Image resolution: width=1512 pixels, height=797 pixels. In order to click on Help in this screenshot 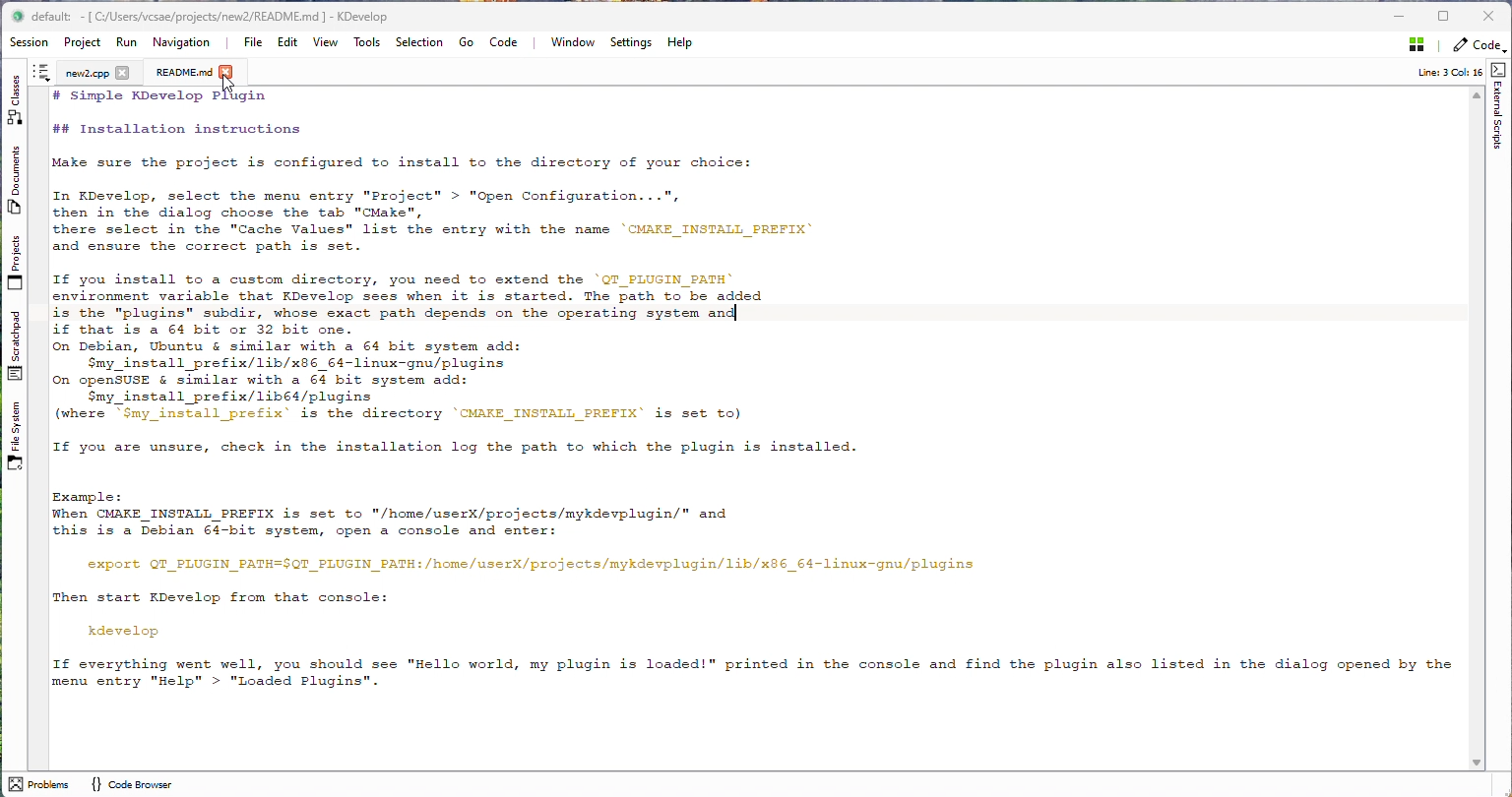, I will do `click(680, 44)`.